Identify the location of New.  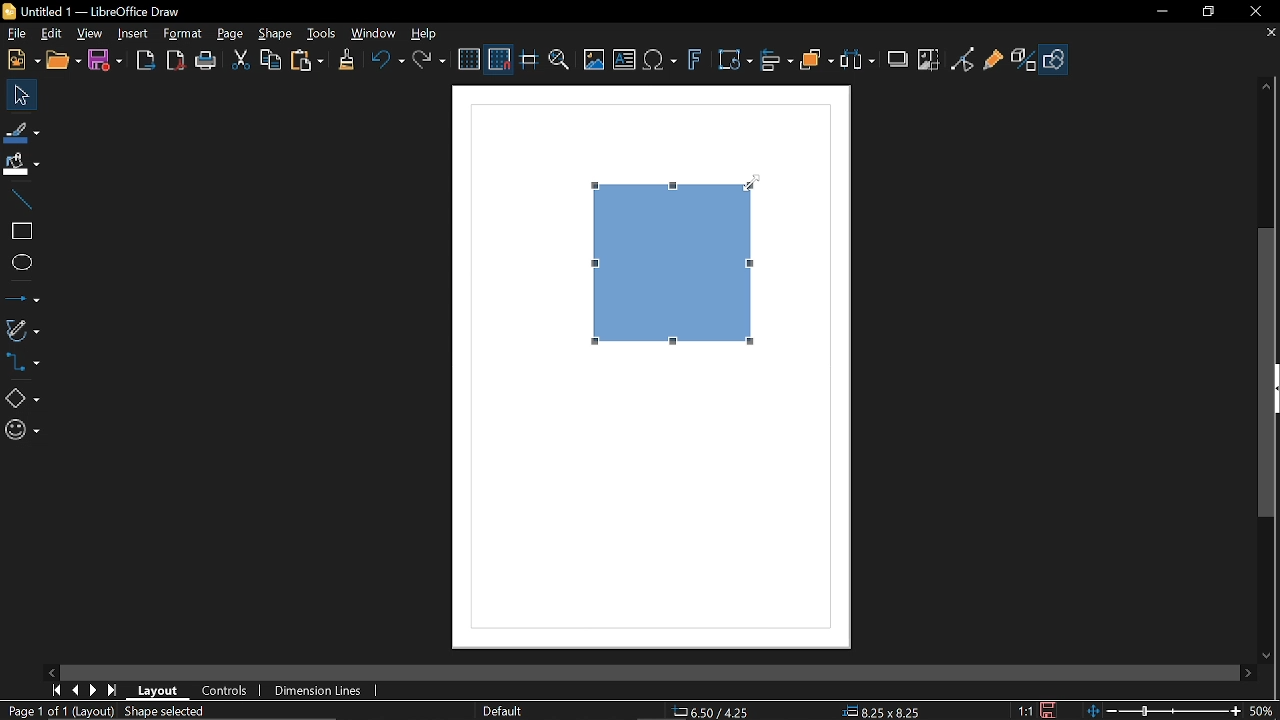
(22, 61).